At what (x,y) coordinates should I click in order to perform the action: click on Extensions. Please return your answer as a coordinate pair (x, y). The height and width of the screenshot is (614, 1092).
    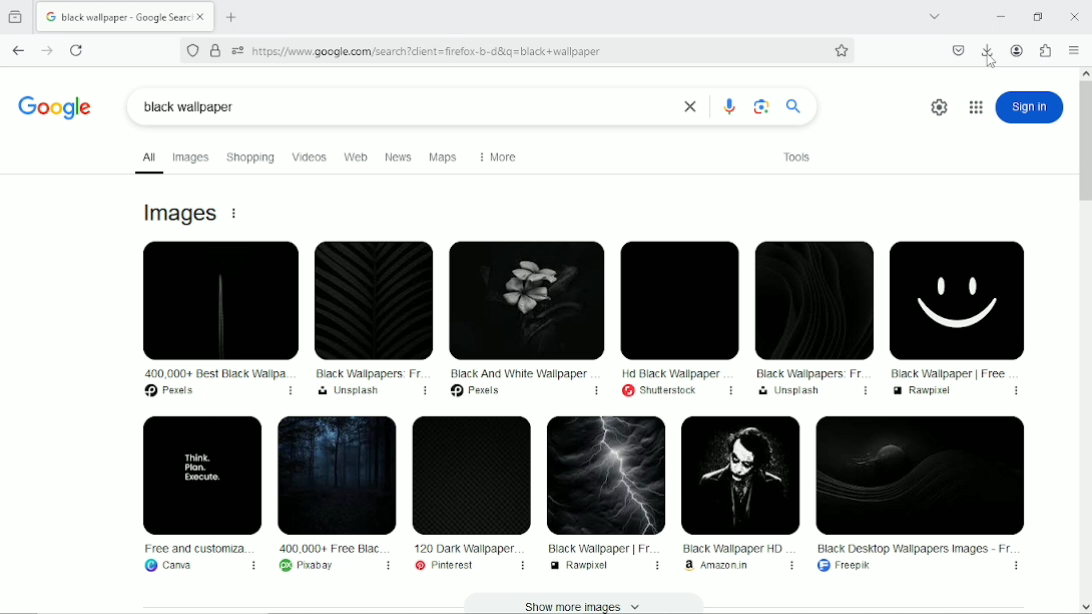
    Looking at the image, I should click on (1045, 50).